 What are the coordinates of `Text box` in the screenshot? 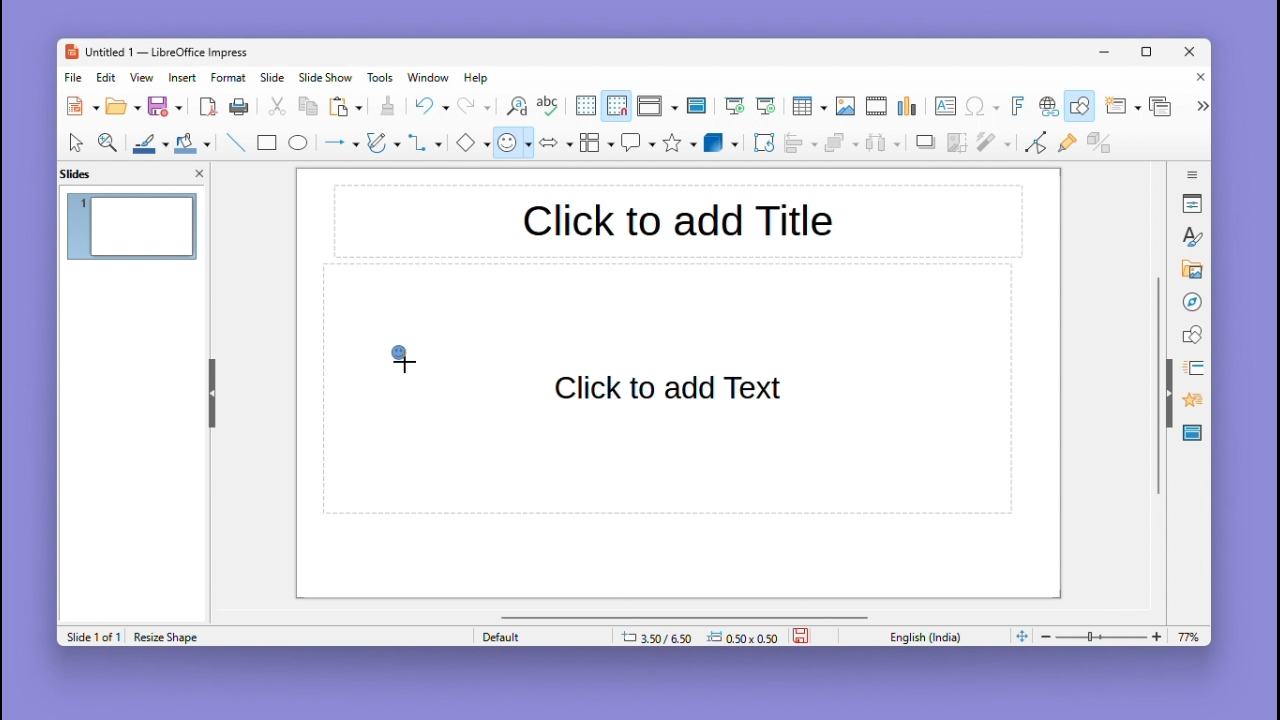 It's located at (945, 106).